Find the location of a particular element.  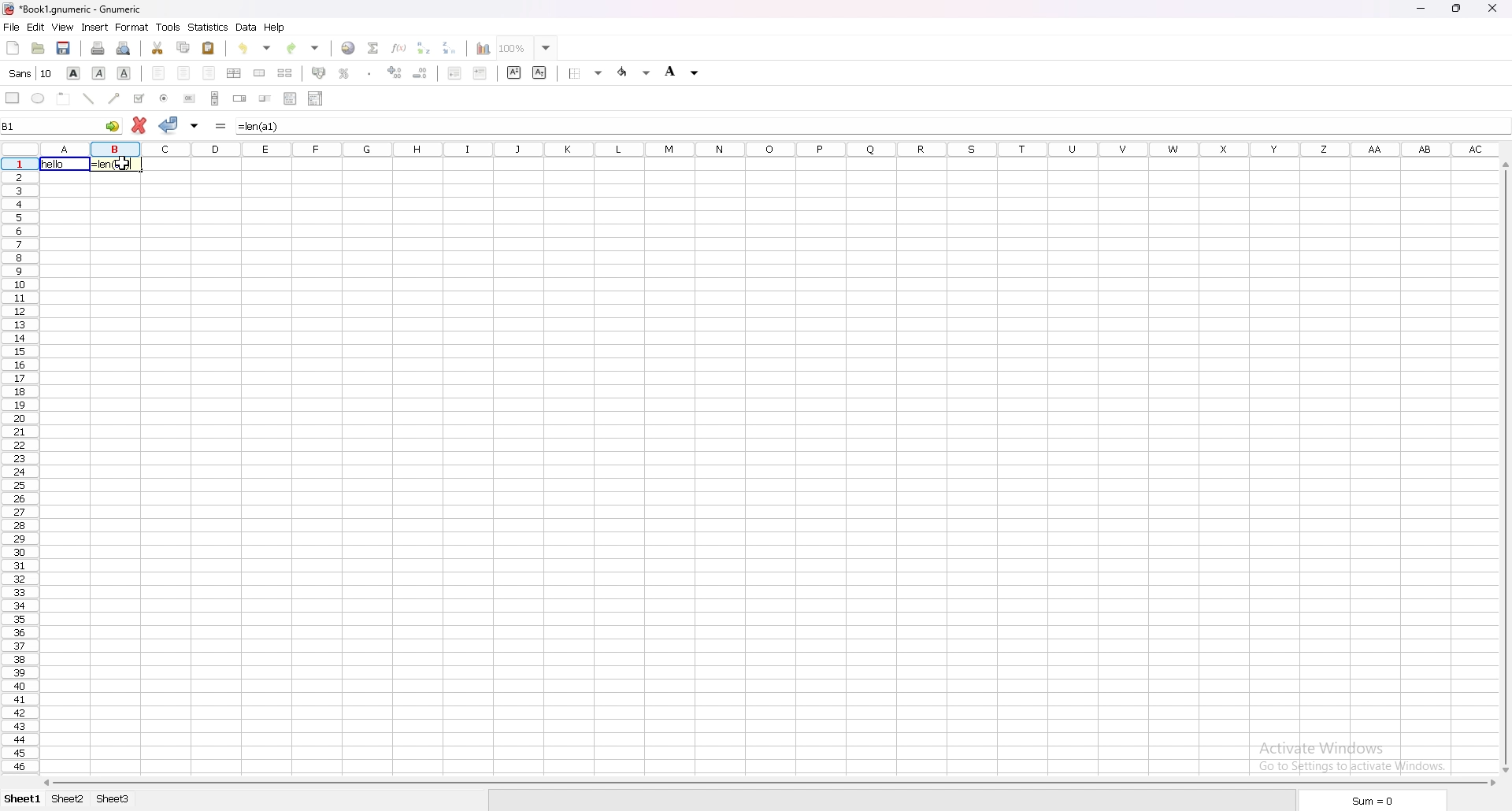

zoom is located at coordinates (528, 48).